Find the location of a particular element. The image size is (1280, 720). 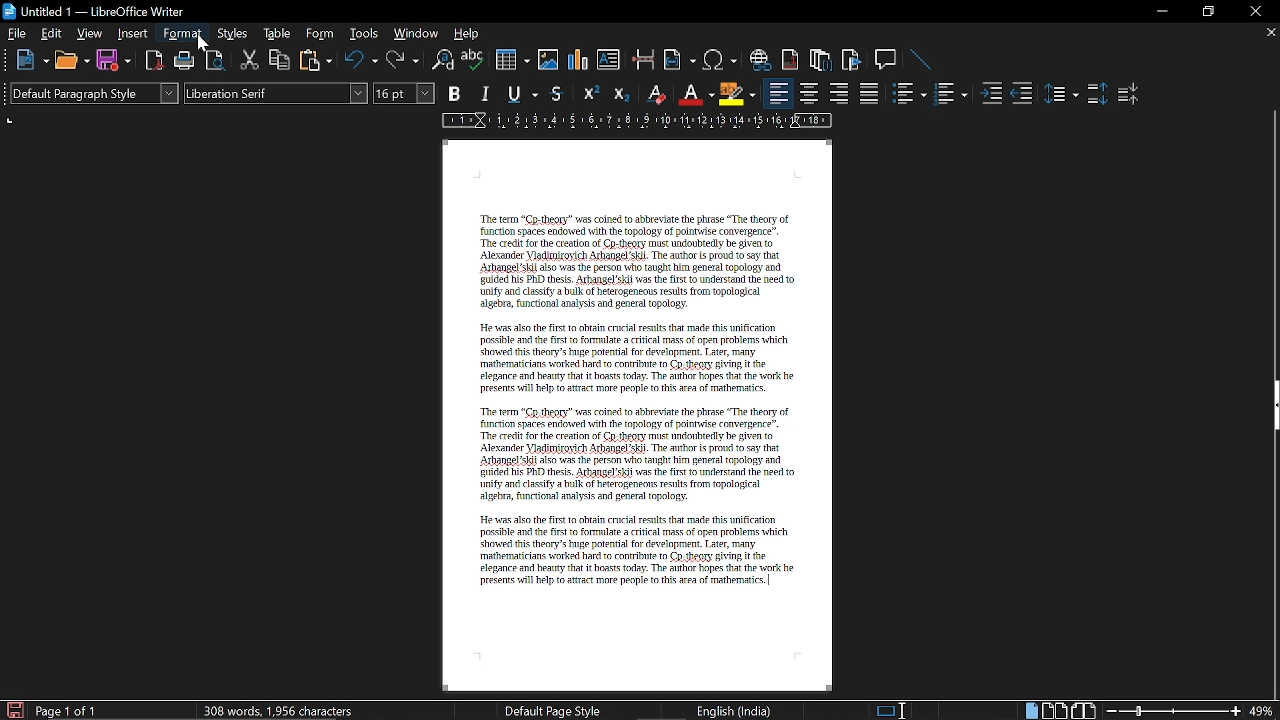

single page is located at coordinates (1032, 710).